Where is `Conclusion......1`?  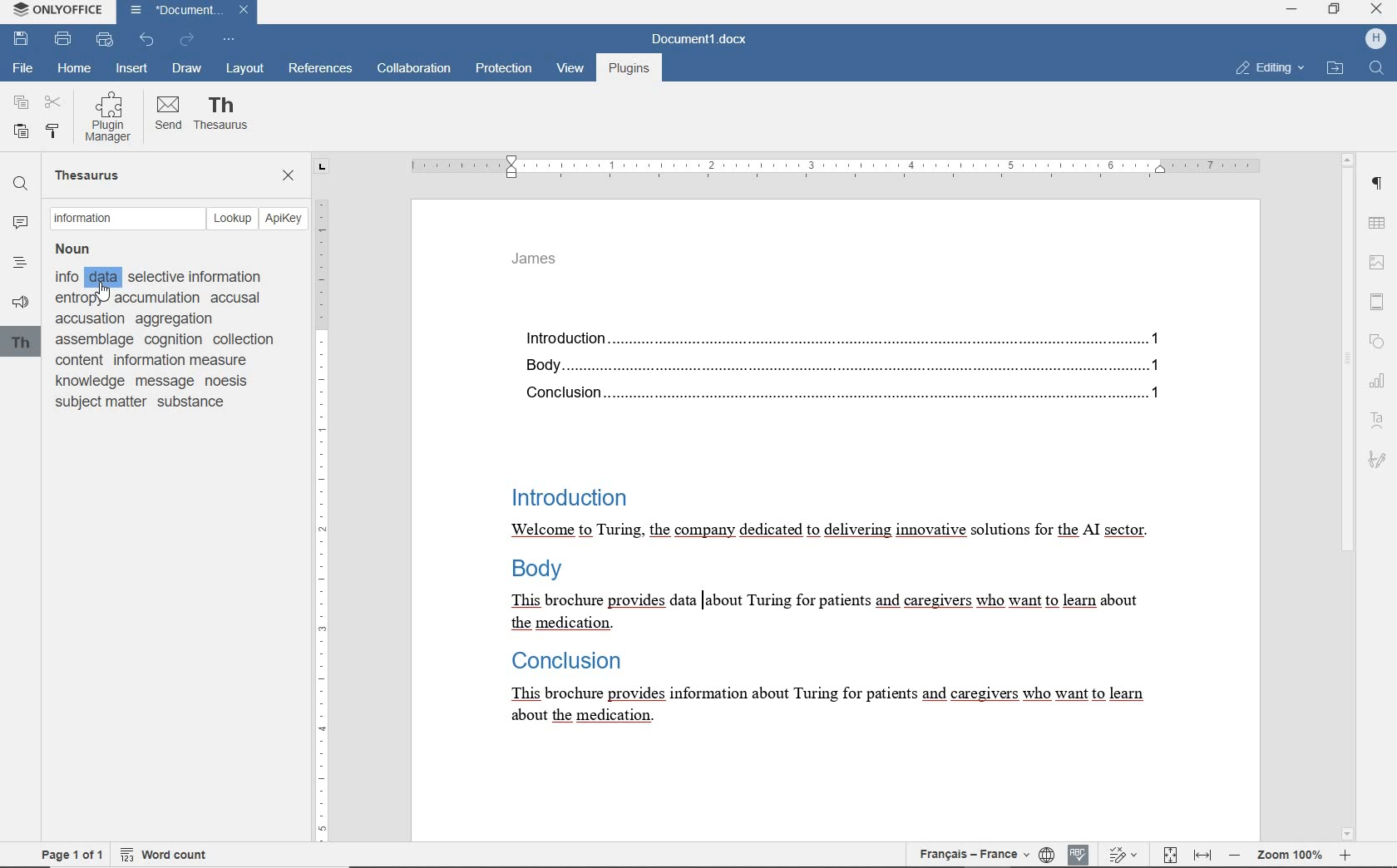
Conclusion......1 is located at coordinates (847, 396).